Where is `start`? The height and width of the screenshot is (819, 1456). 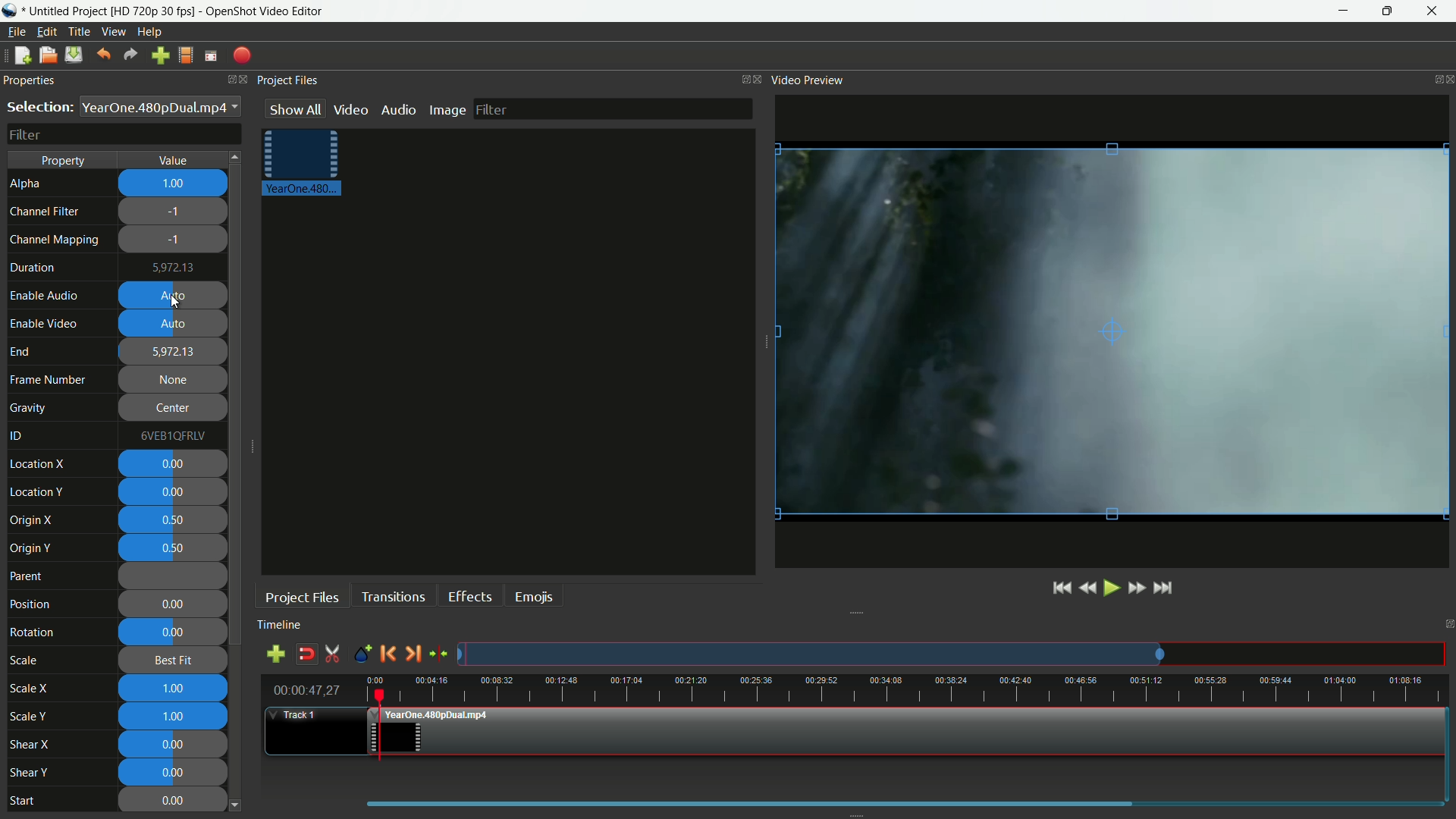 start is located at coordinates (20, 801).